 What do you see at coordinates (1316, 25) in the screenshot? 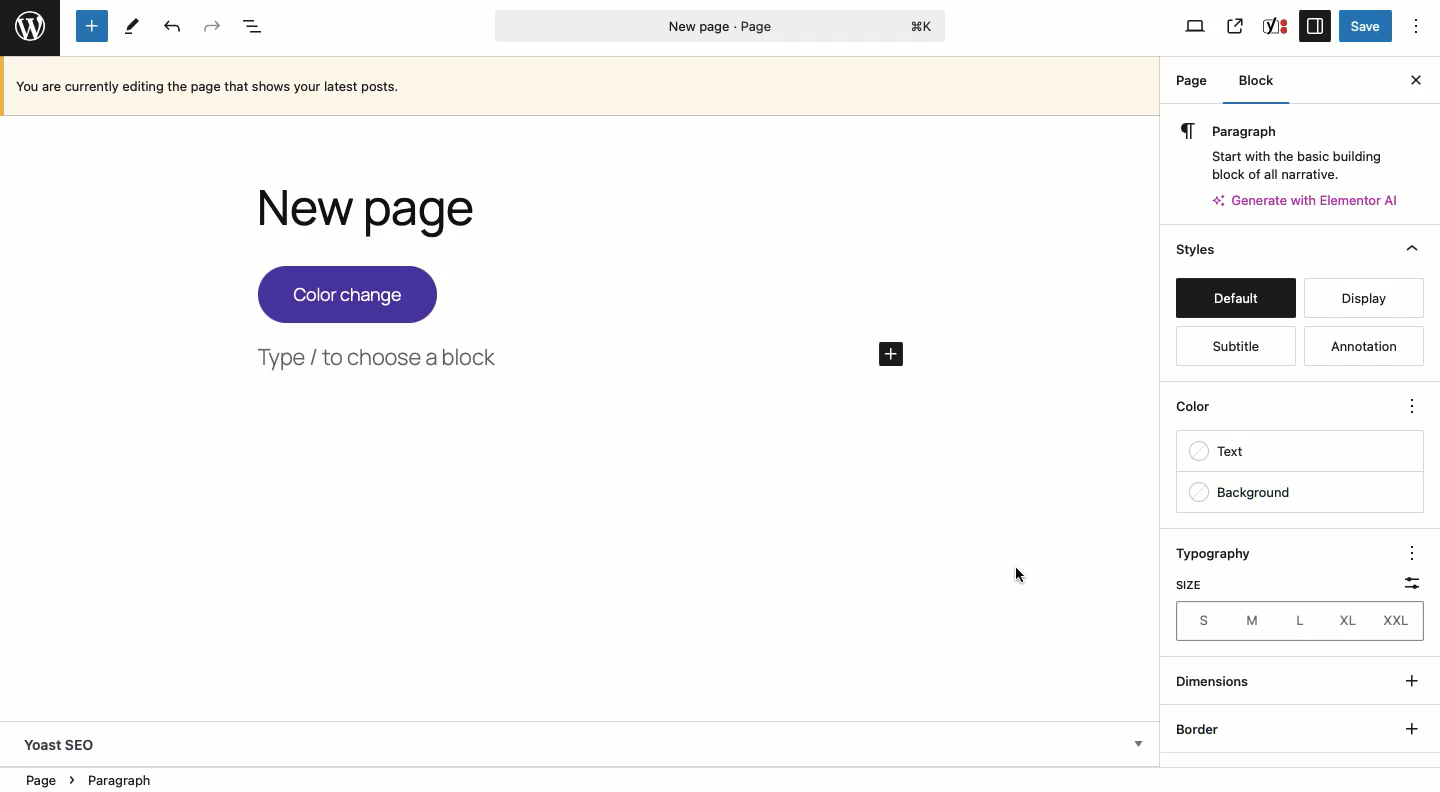
I see `Sidebar` at bounding box center [1316, 25].